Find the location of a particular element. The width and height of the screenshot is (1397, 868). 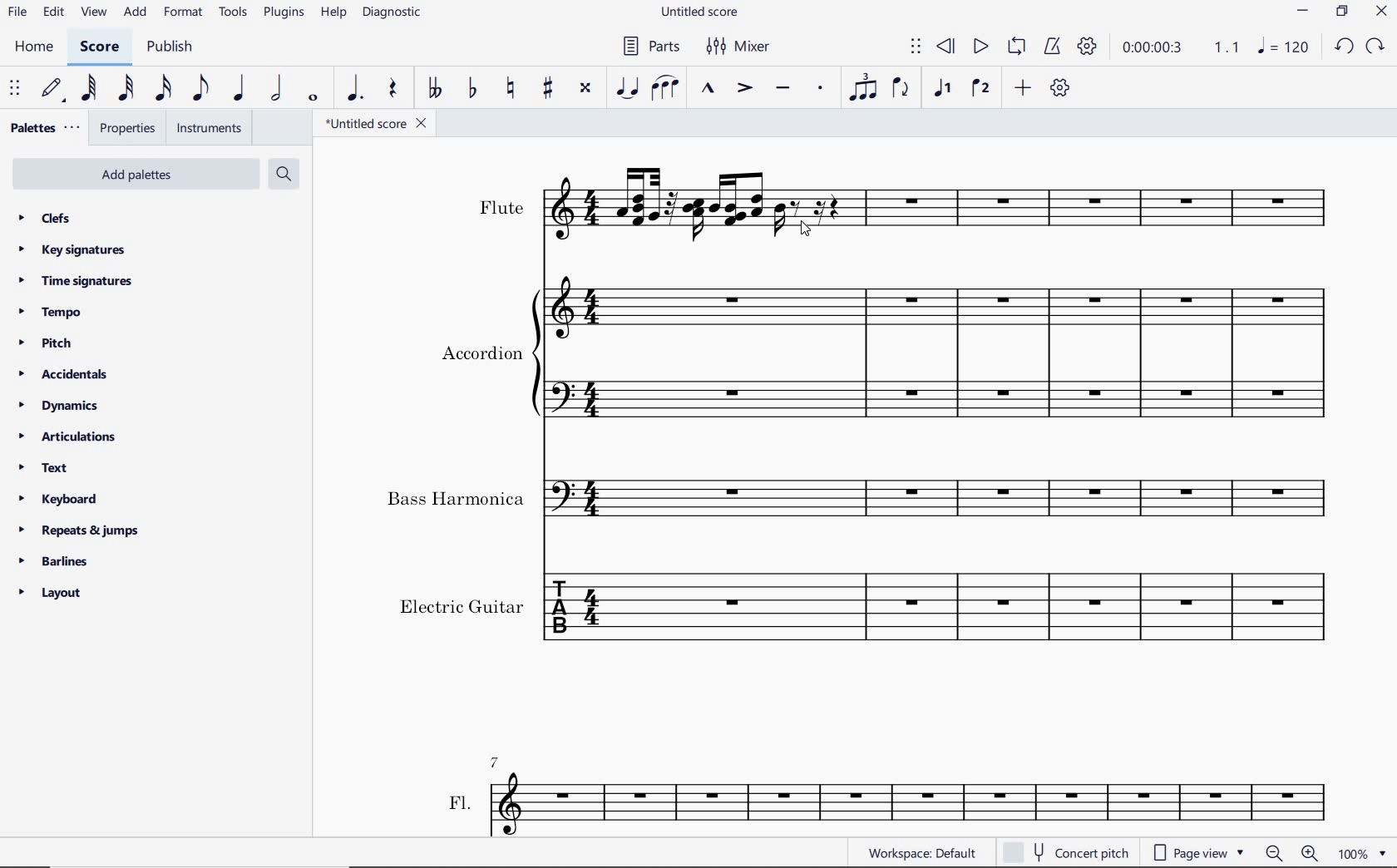

FL is located at coordinates (914, 803).